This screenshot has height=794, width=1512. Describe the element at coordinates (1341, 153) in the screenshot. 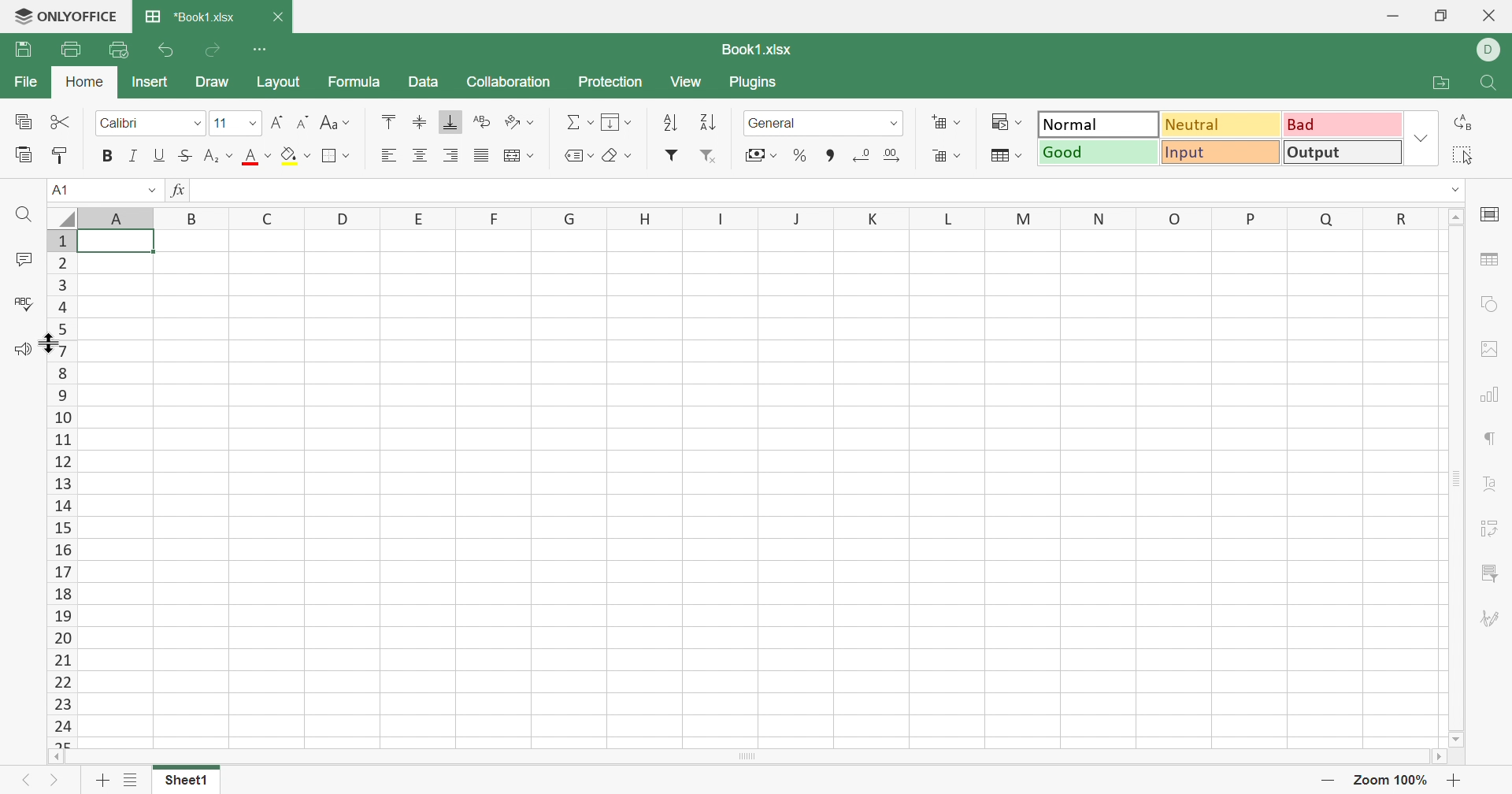

I see `Output` at that location.